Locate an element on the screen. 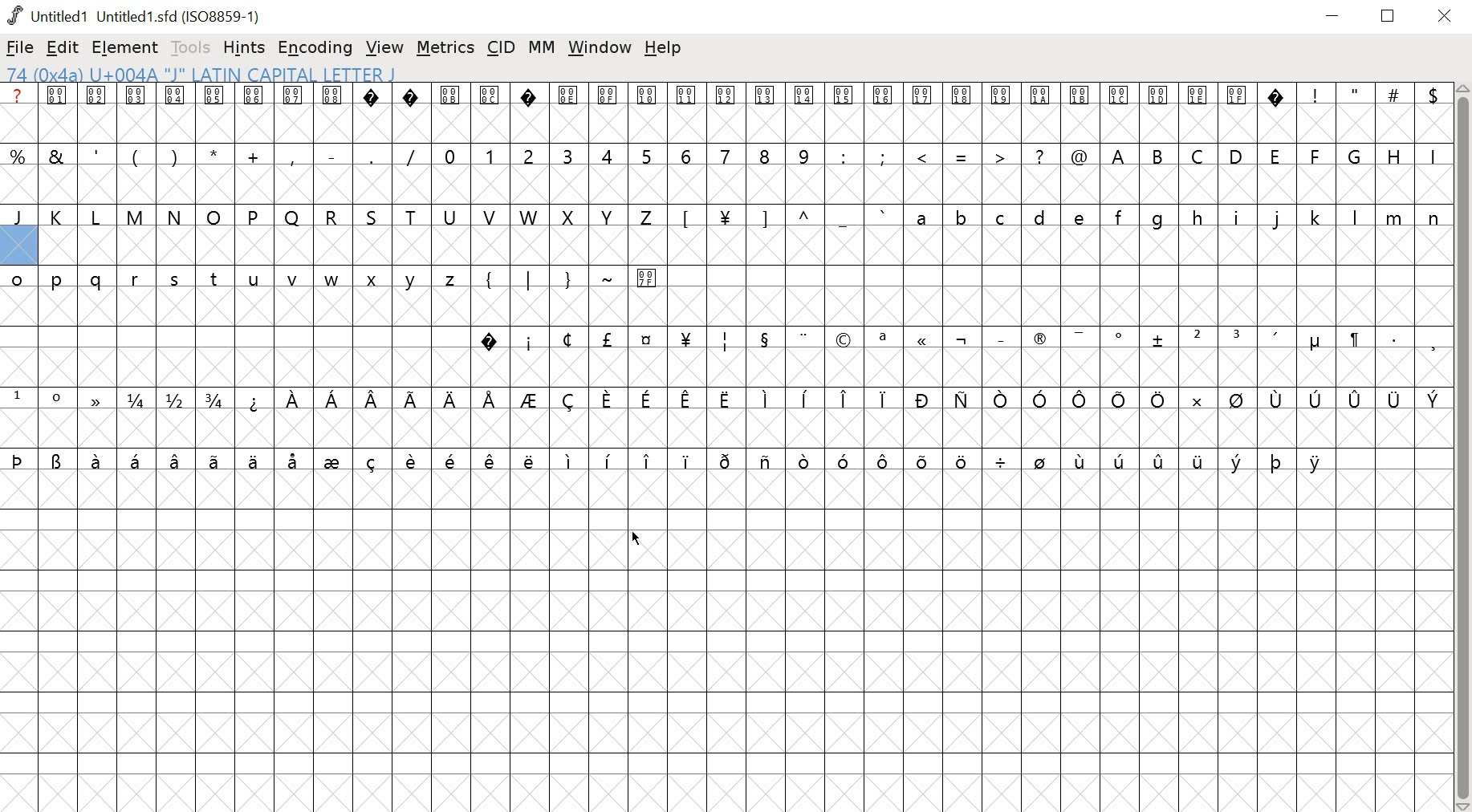 Image resolution: width=1472 pixels, height=812 pixels. numbers is located at coordinates (626, 155).